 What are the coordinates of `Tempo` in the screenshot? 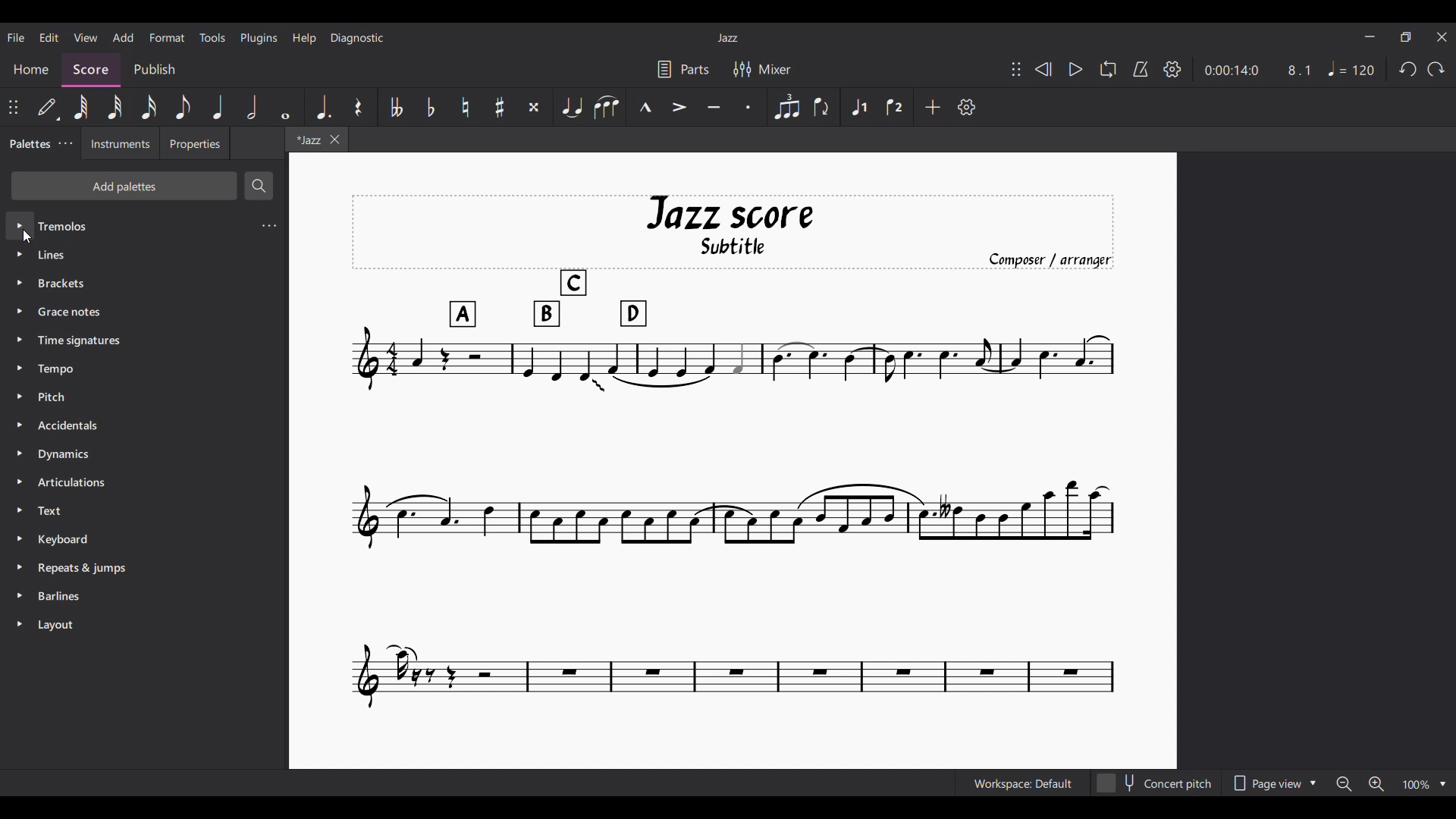 It's located at (143, 369).